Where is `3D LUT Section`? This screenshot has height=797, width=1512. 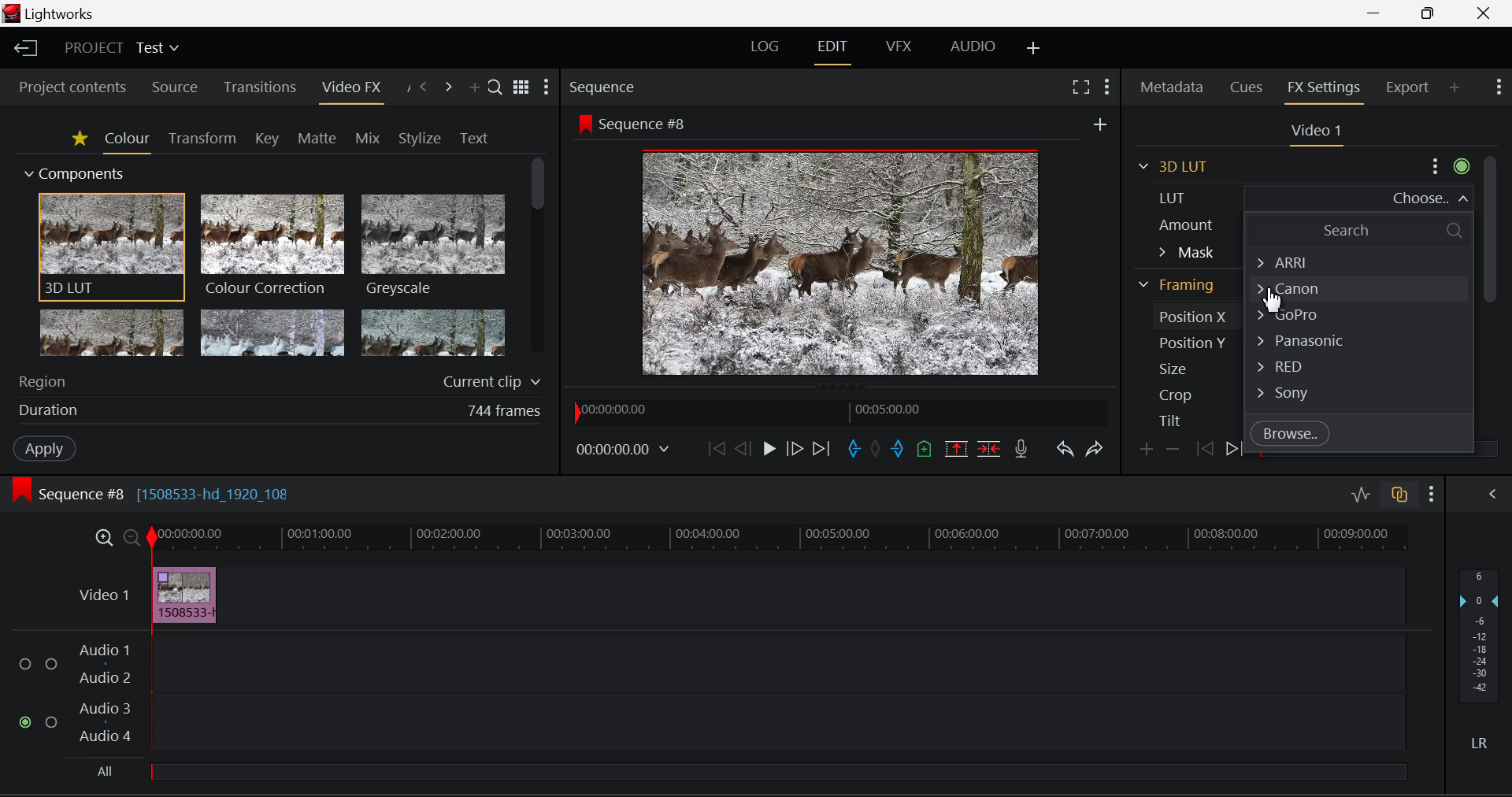 3D LUT Section is located at coordinates (1180, 165).